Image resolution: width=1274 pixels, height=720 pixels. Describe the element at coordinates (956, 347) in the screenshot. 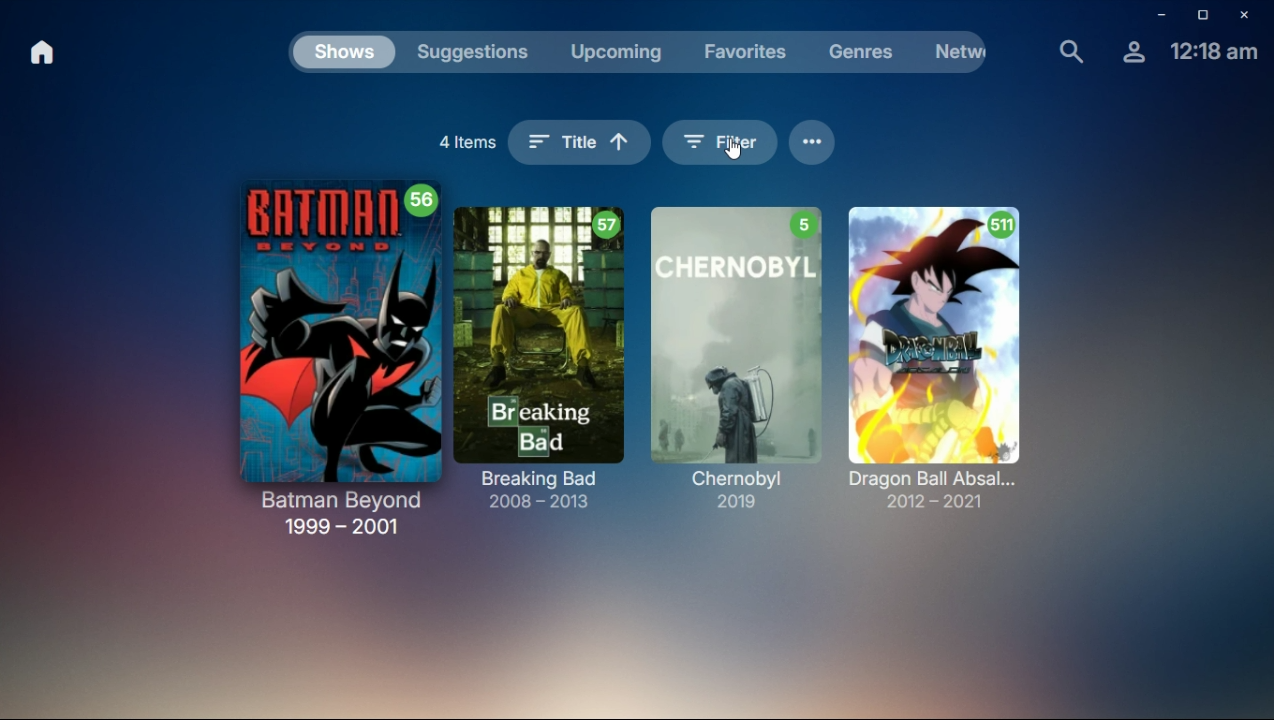

I see `dragonball absolute collection 2012 -2021` at that location.